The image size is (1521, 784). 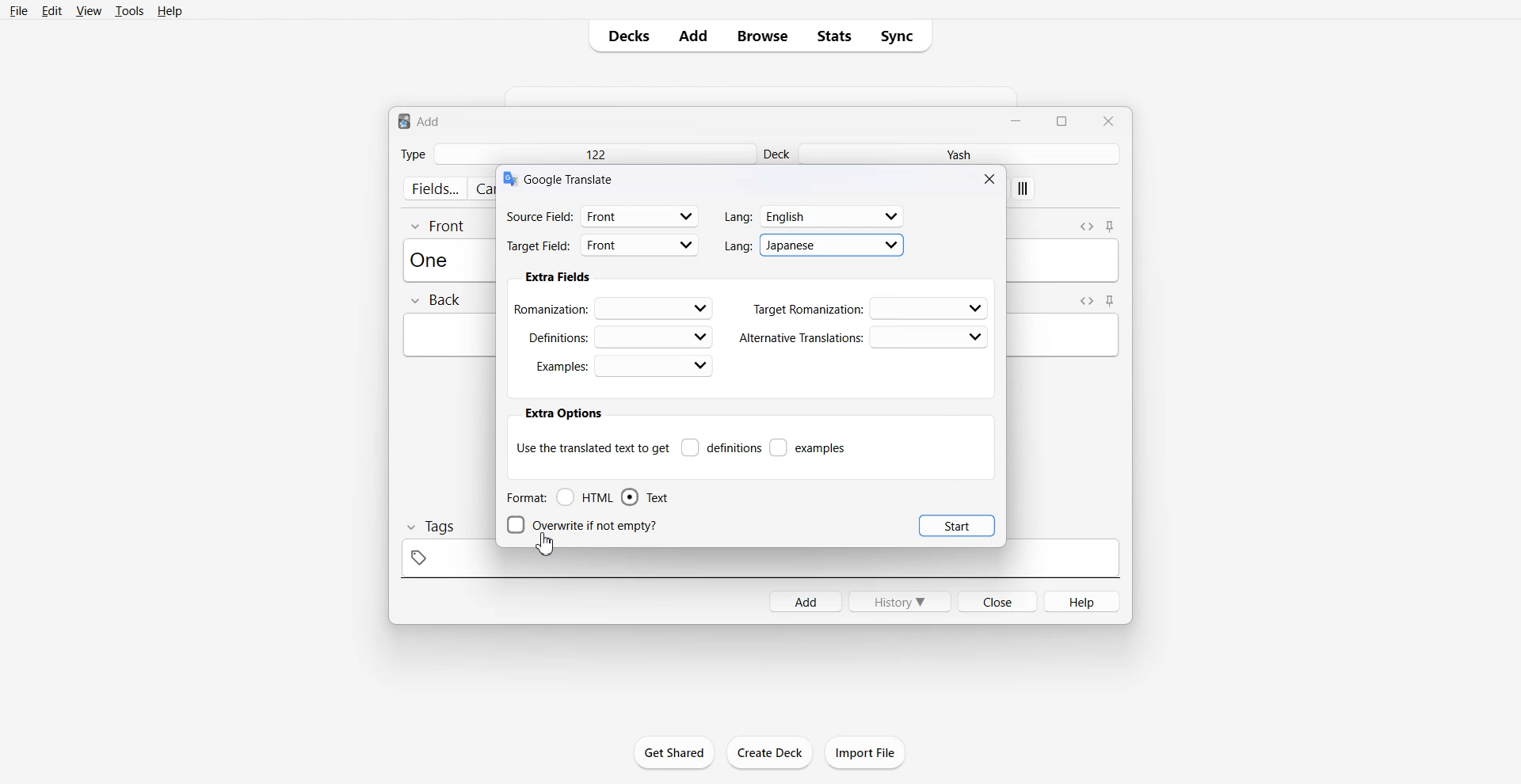 I want to click on Yash, so click(x=963, y=154).